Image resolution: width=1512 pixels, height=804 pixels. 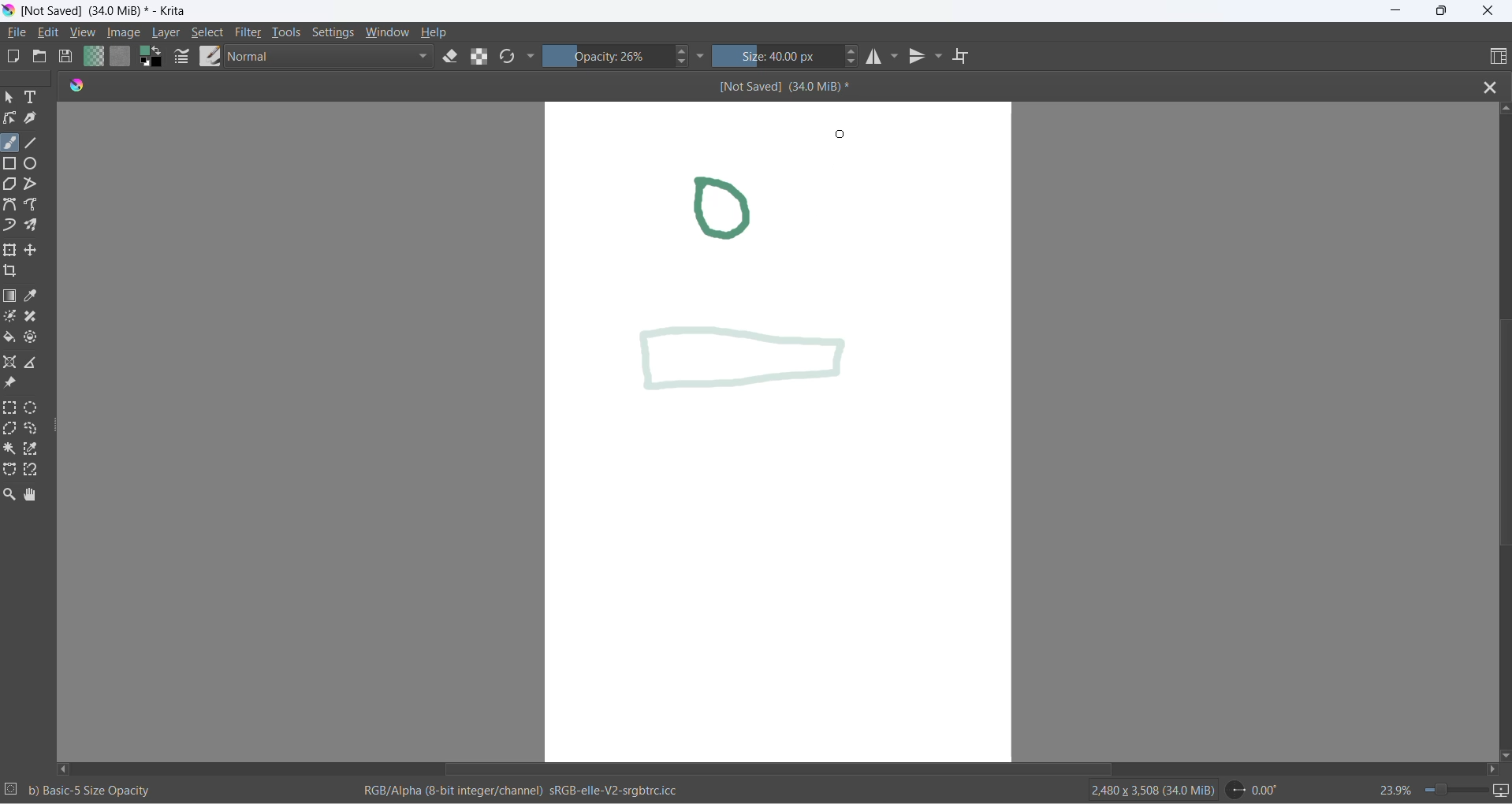 What do you see at coordinates (1488, 13) in the screenshot?
I see `close` at bounding box center [1488, 13].